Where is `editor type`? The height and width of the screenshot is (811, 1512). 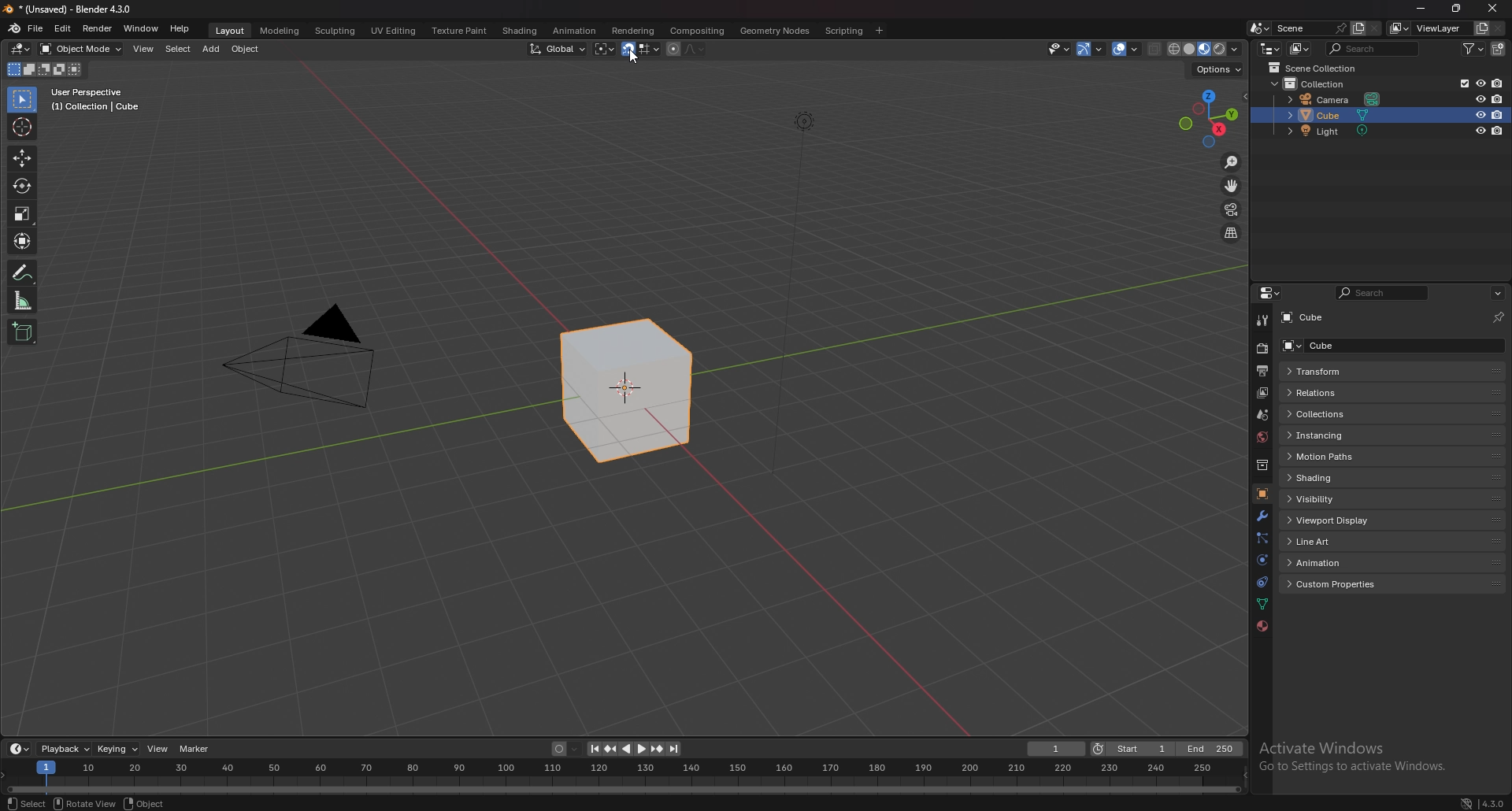
editor type is located at coordinates (1269, 47).